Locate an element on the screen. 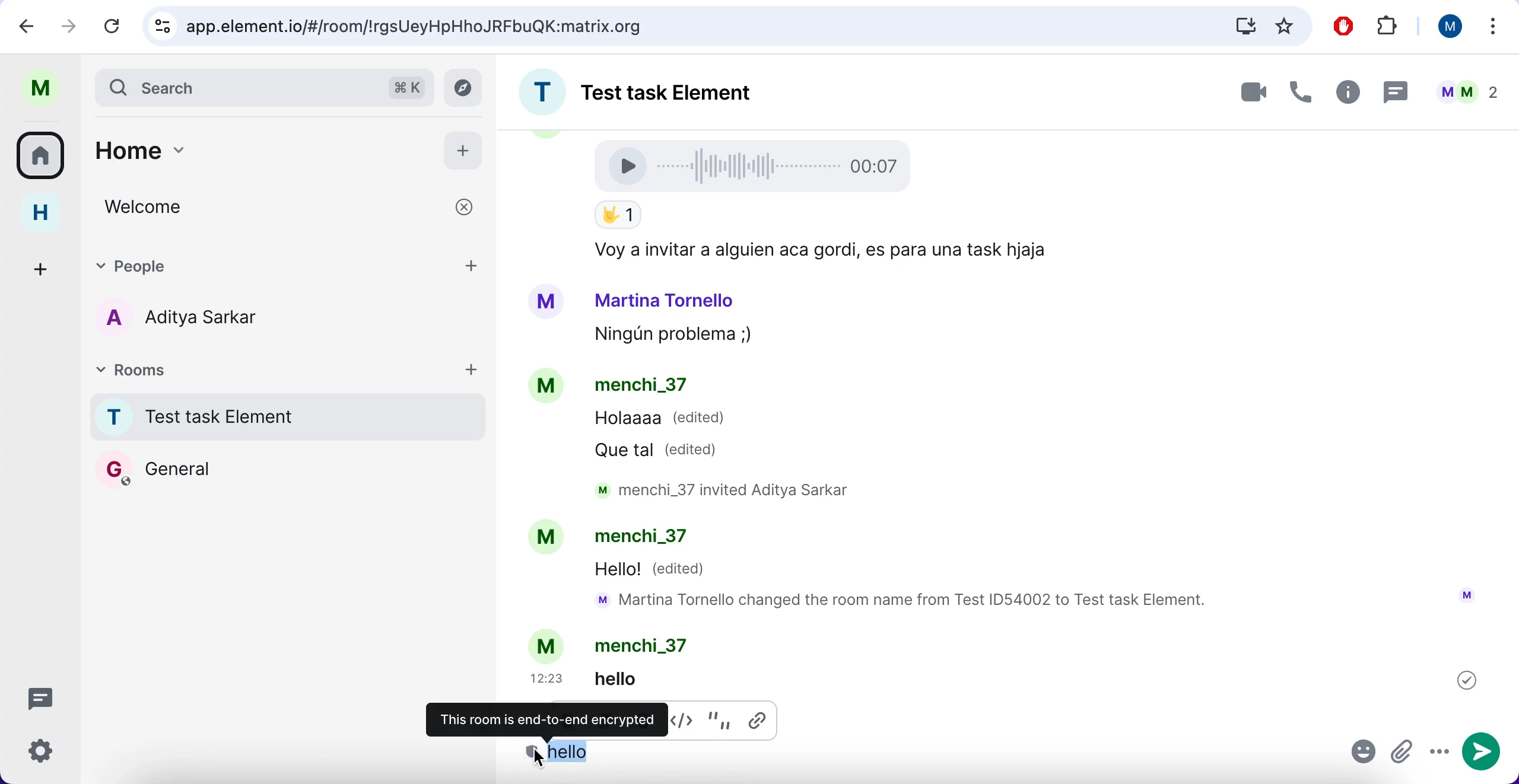 The image size is (1519, 784). Avatar is located at coordinates (548, 645).